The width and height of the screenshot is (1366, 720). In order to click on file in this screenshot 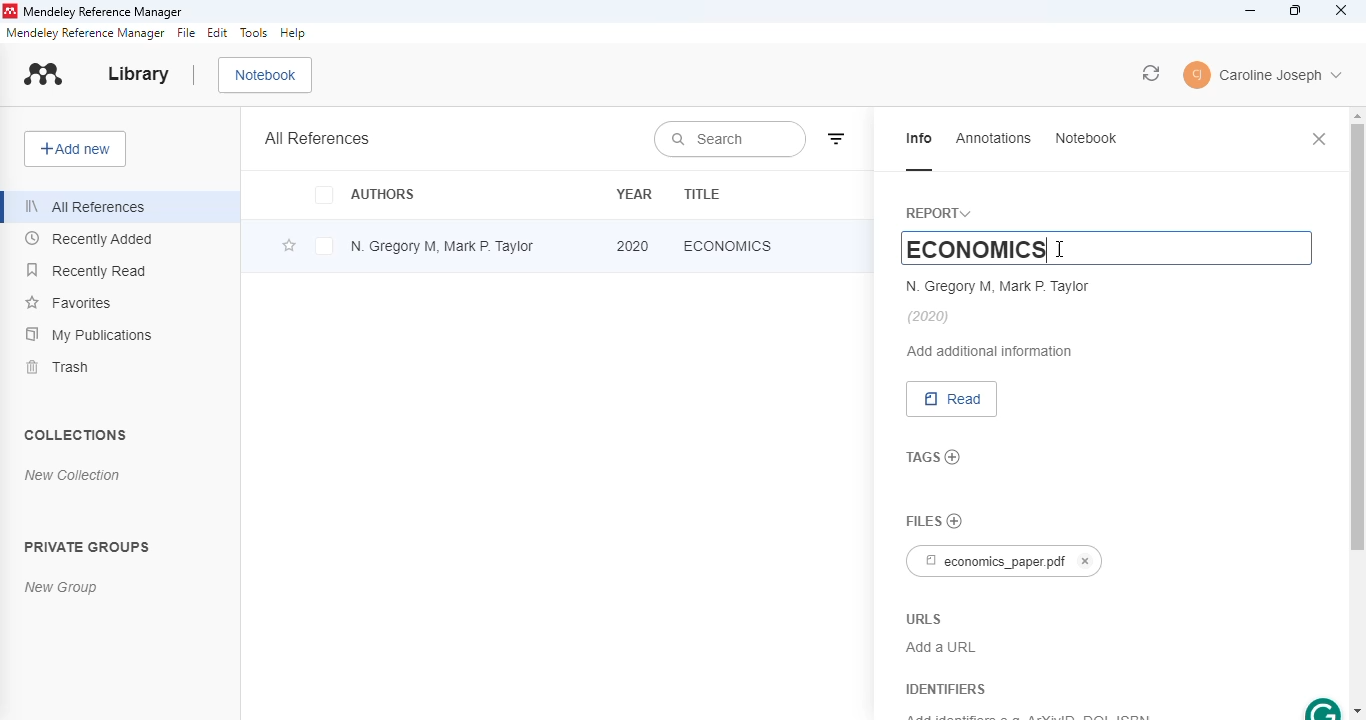, I will do `click(186, 33)`.